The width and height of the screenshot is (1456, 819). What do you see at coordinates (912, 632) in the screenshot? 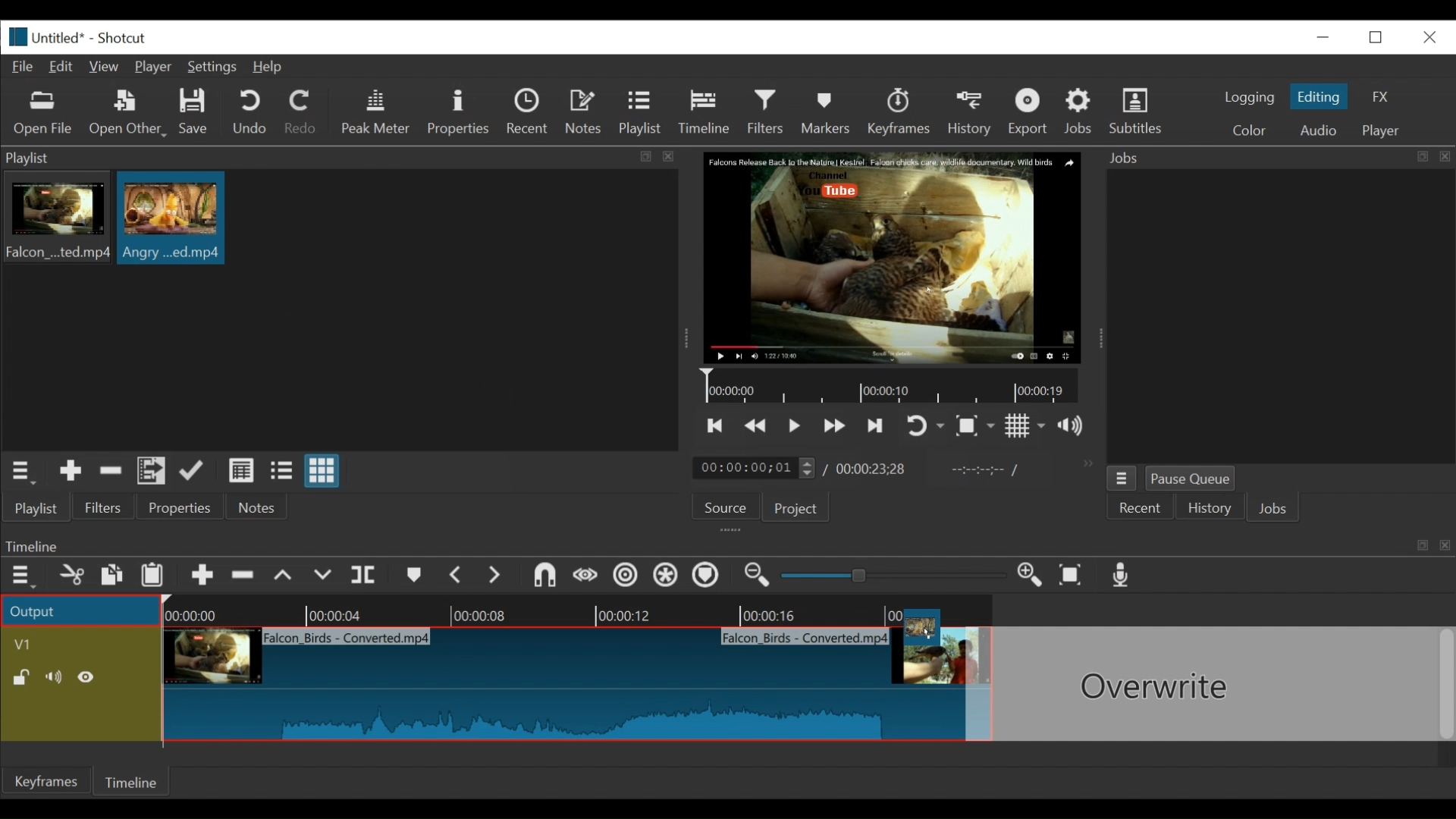
I see `clip` at bounding box center [912, 632].